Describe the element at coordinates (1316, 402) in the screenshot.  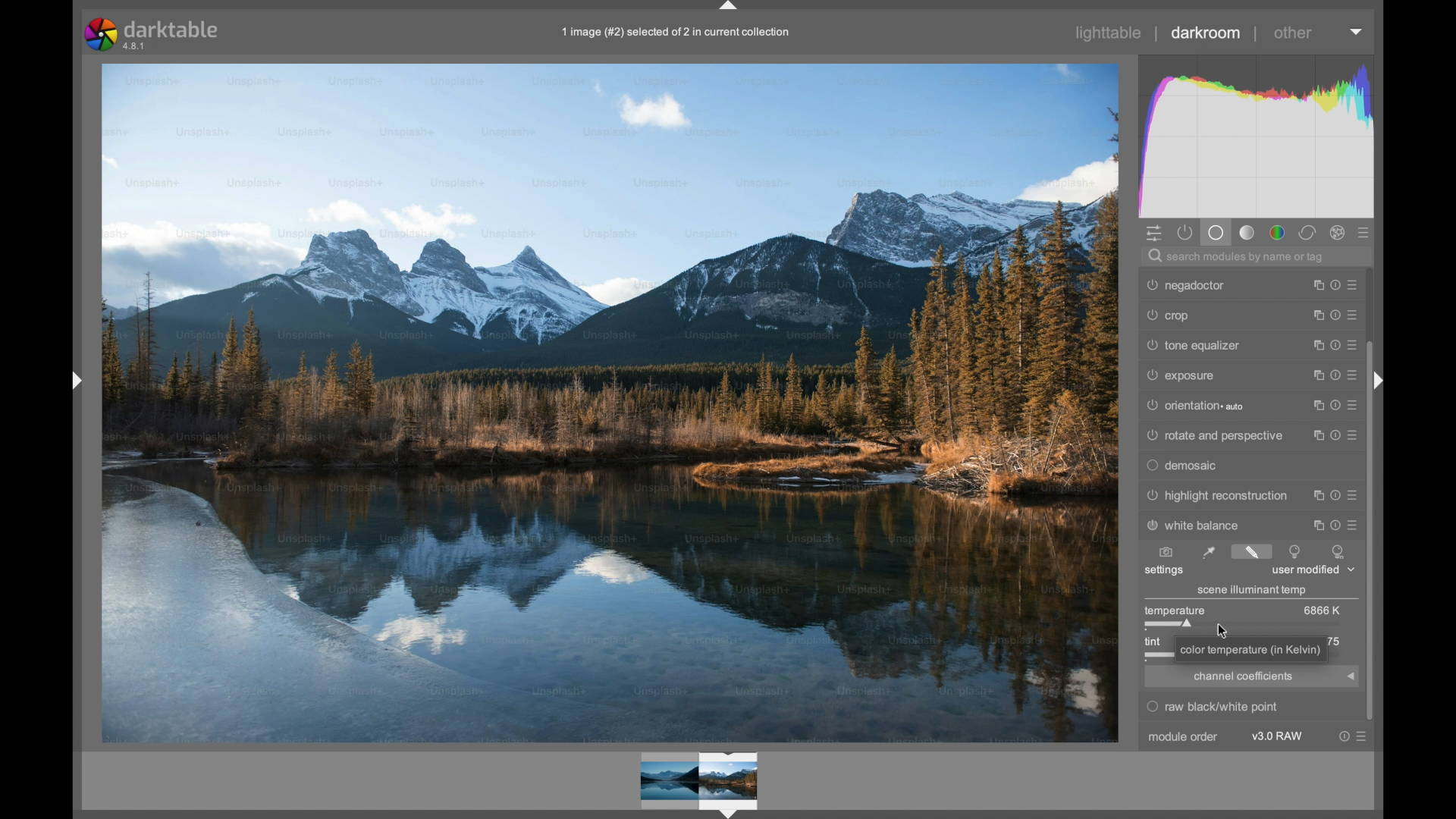
I see `instance` at that location.